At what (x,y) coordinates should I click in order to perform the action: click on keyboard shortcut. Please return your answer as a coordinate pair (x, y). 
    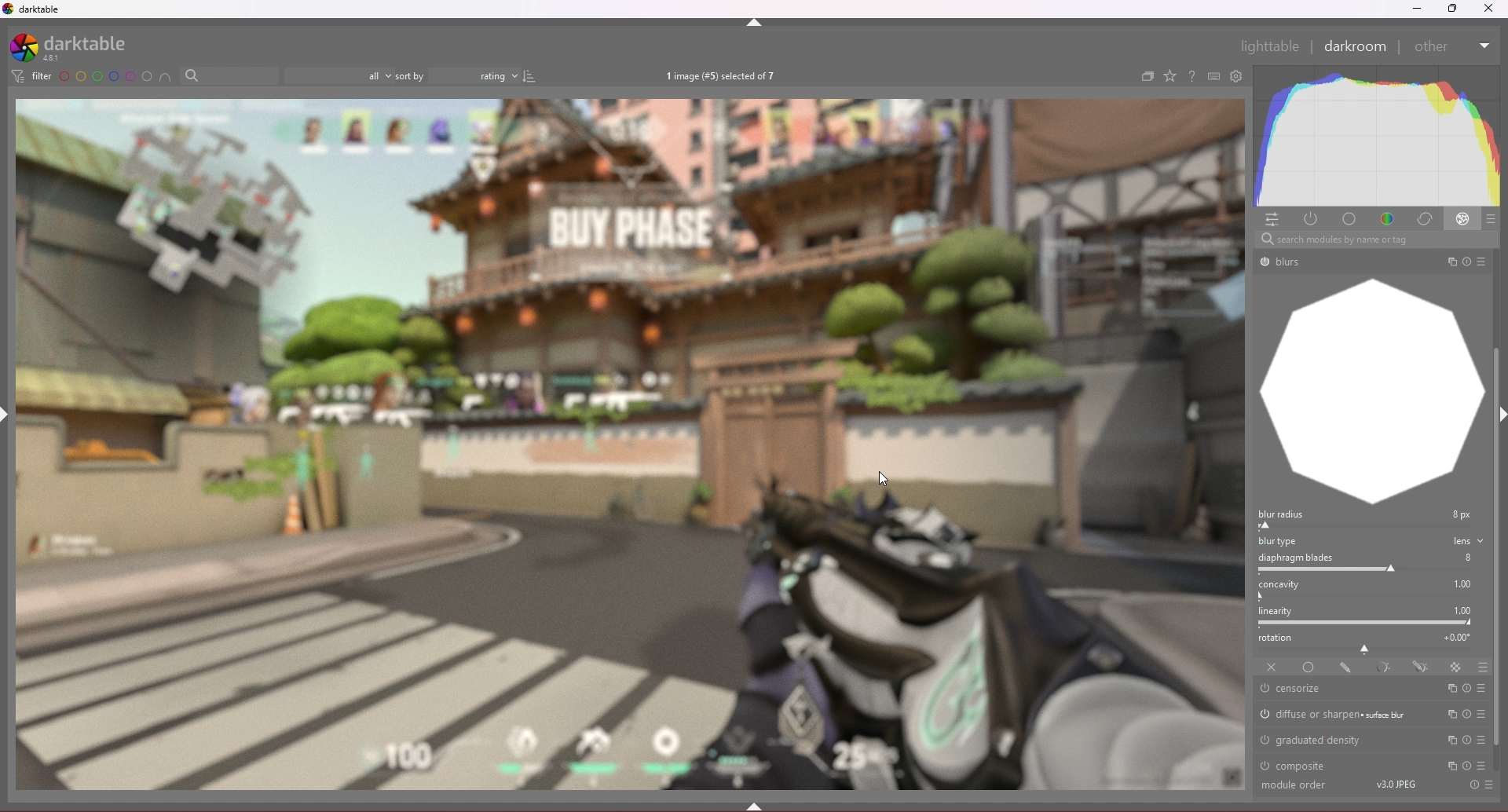
    Looking at the image, I should click on (1214, 76).